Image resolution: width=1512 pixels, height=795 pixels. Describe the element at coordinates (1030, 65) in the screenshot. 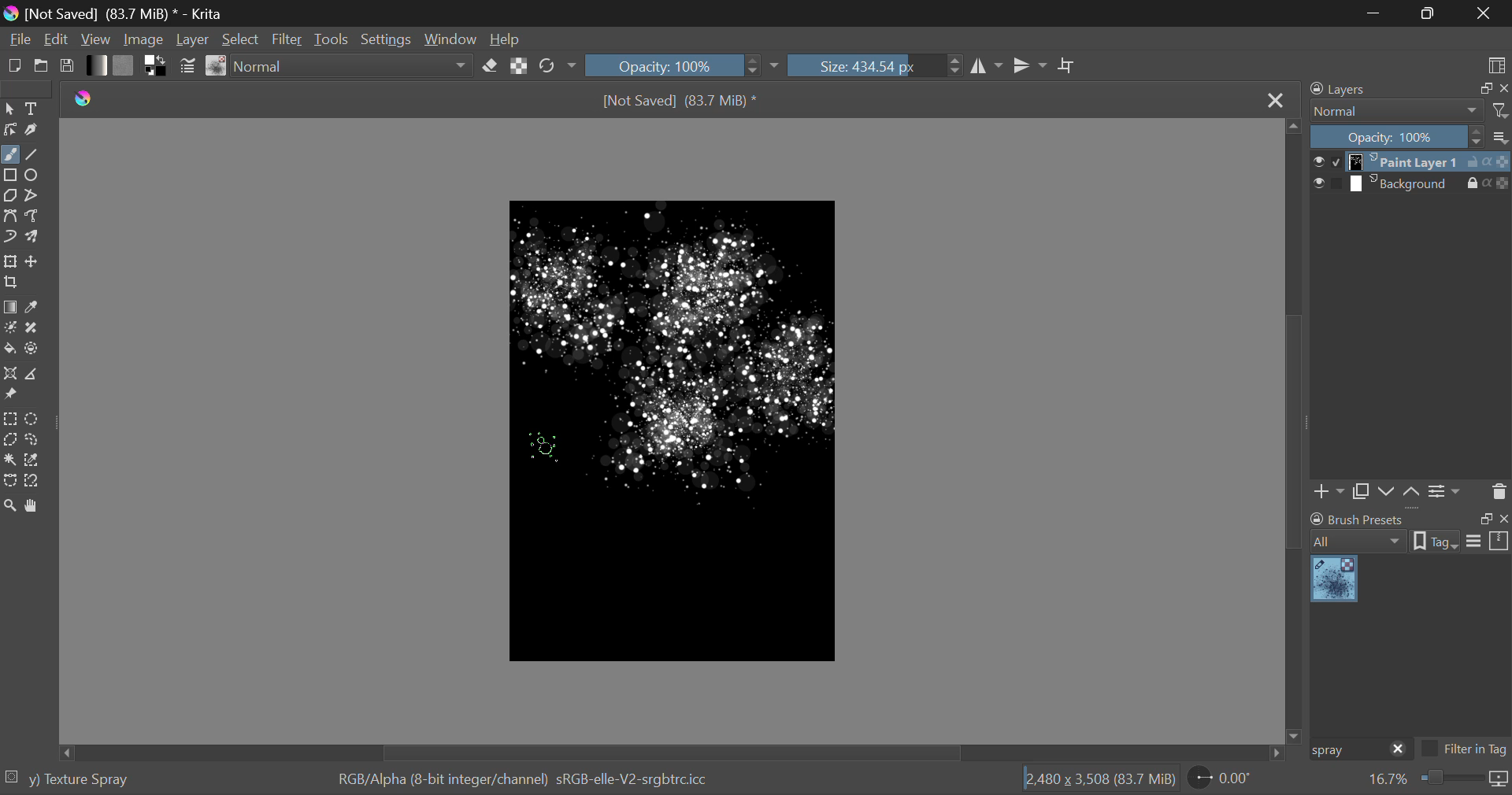

I see `Horizontal Mirror Flip` at that location.